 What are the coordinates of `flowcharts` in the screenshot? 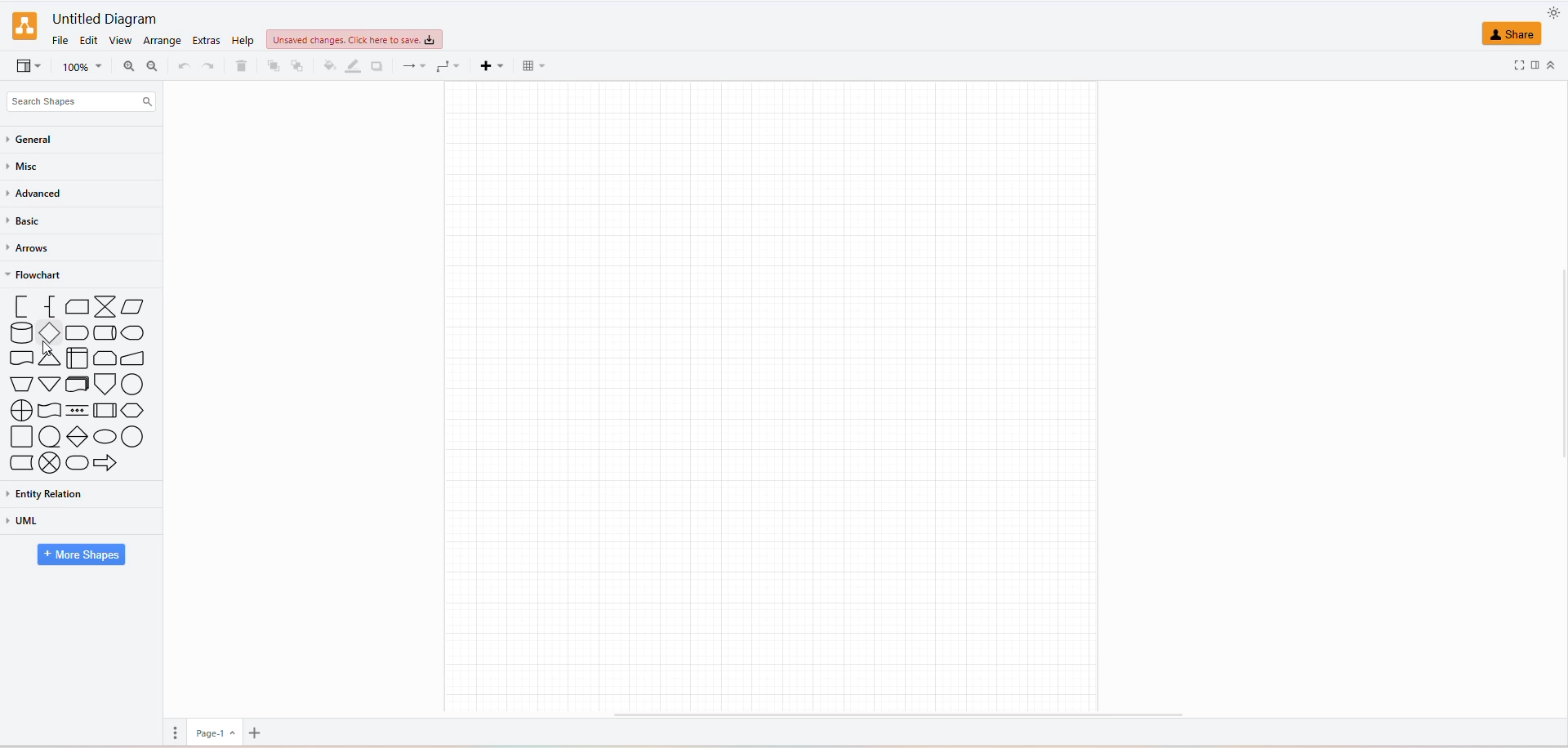 It's located at (80, 386).